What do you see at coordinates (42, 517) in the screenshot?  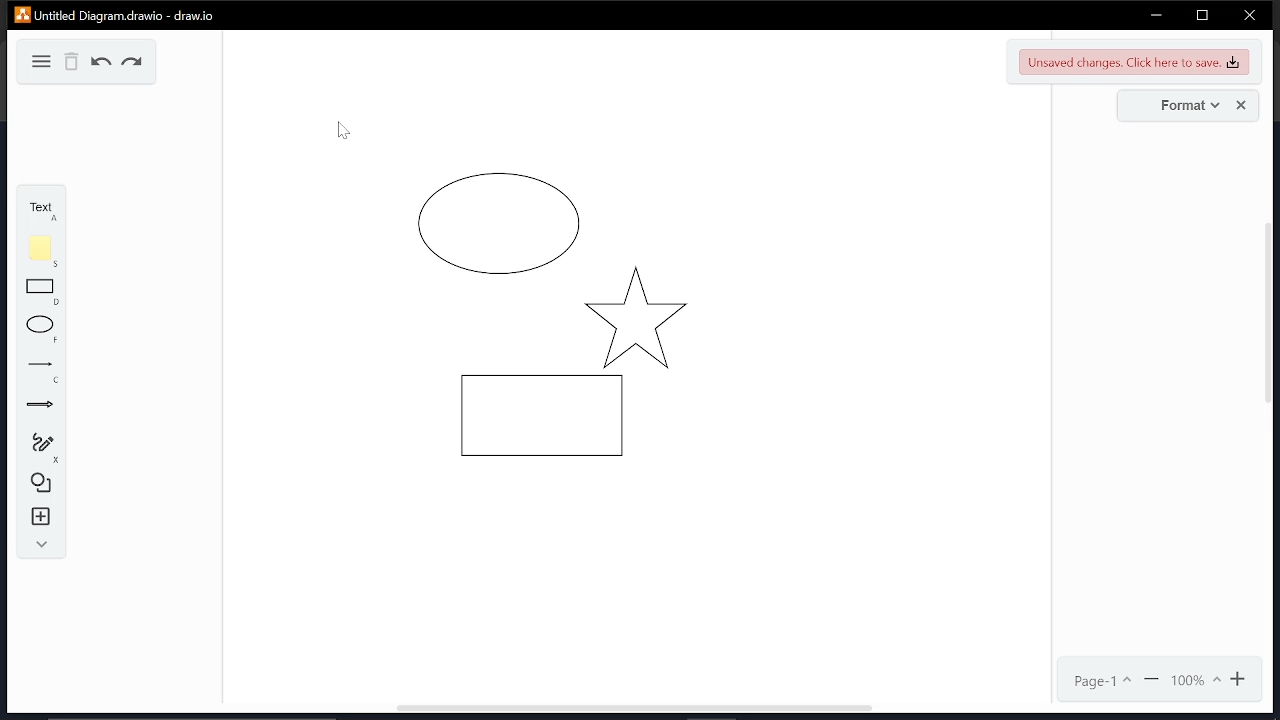 I see `insert` at bounding box center [42, 517].